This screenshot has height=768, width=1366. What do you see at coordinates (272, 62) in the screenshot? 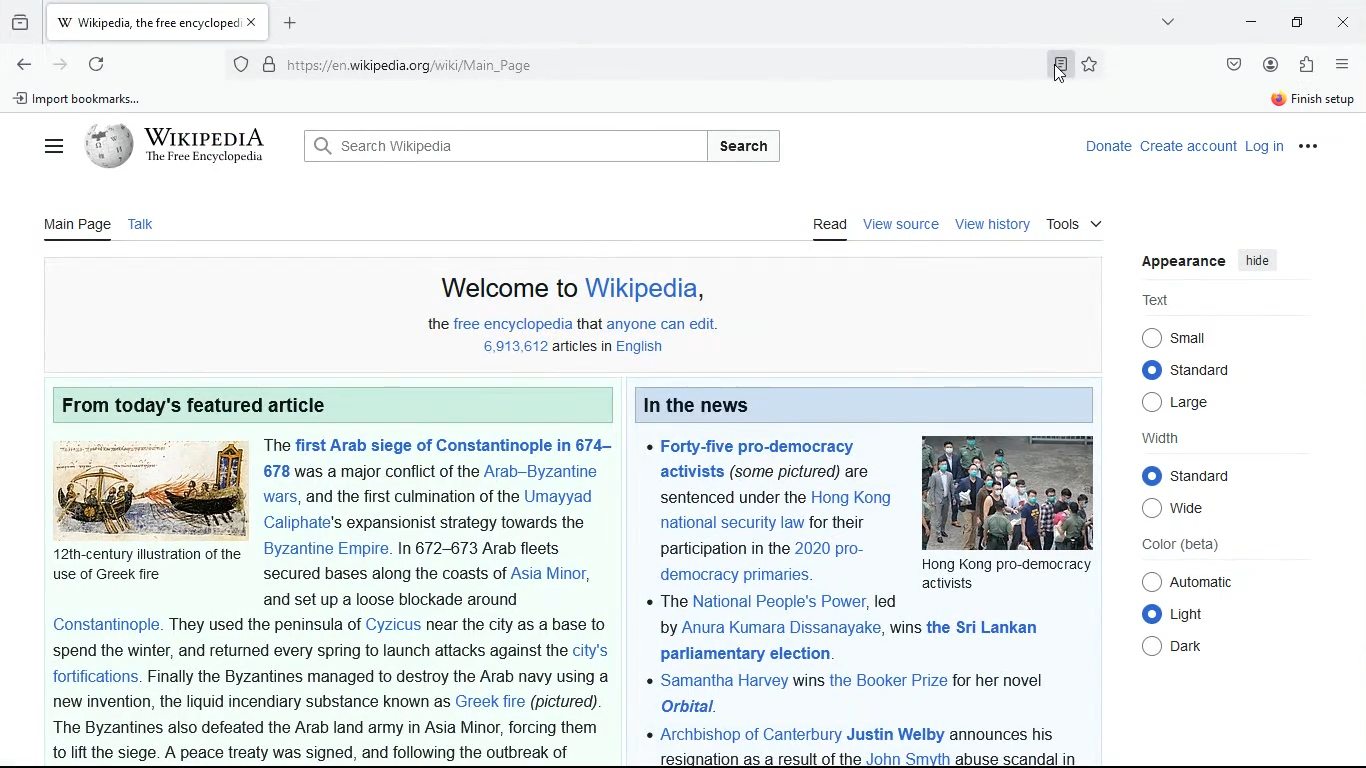
I see `secure` at bounding box center [272, 62].